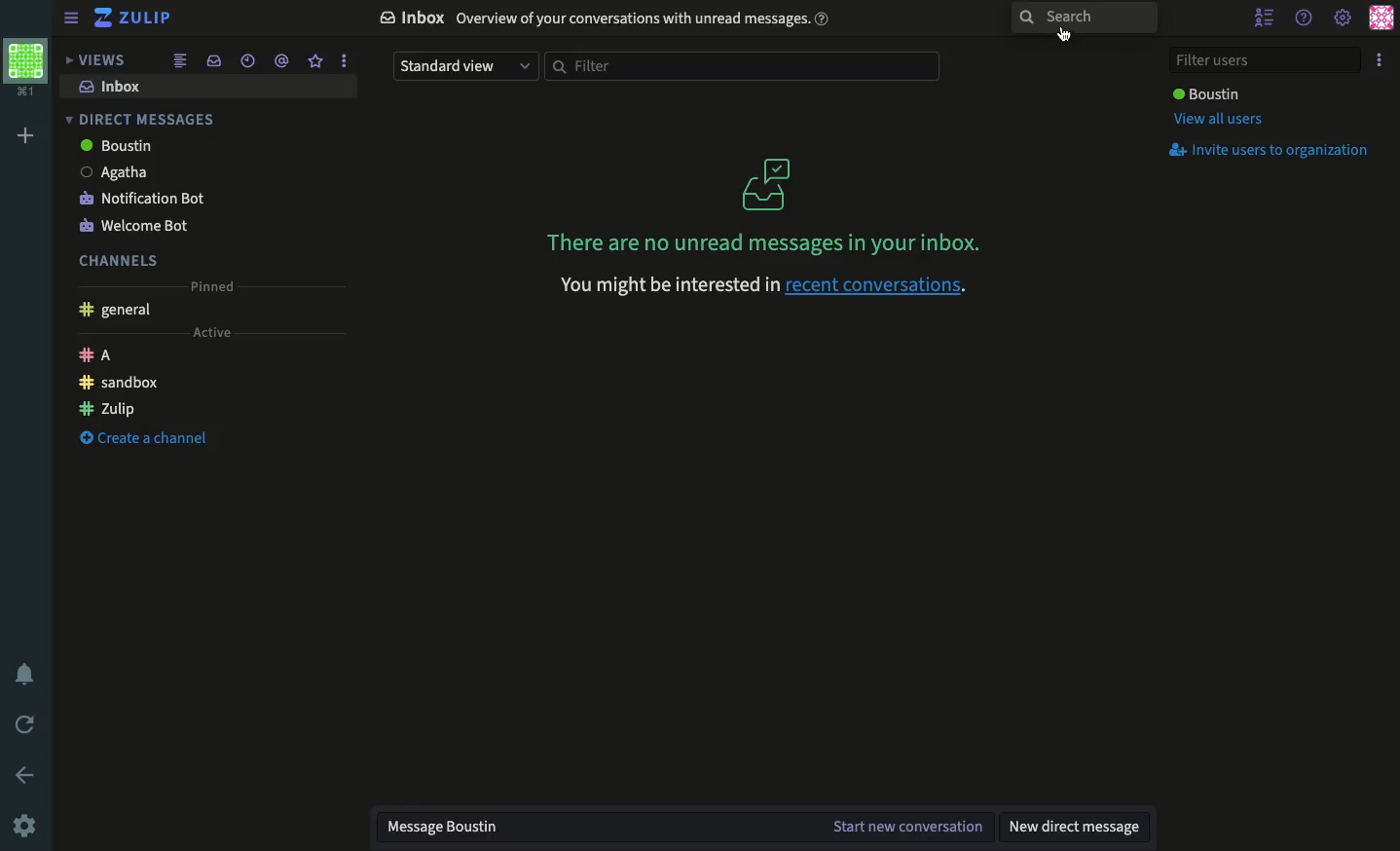 The width and height of the screenshot is (1400, 851). What do you see at coordinates (342, 60) in the screenshot?
I see `Options` at bounding box center [342, 60].